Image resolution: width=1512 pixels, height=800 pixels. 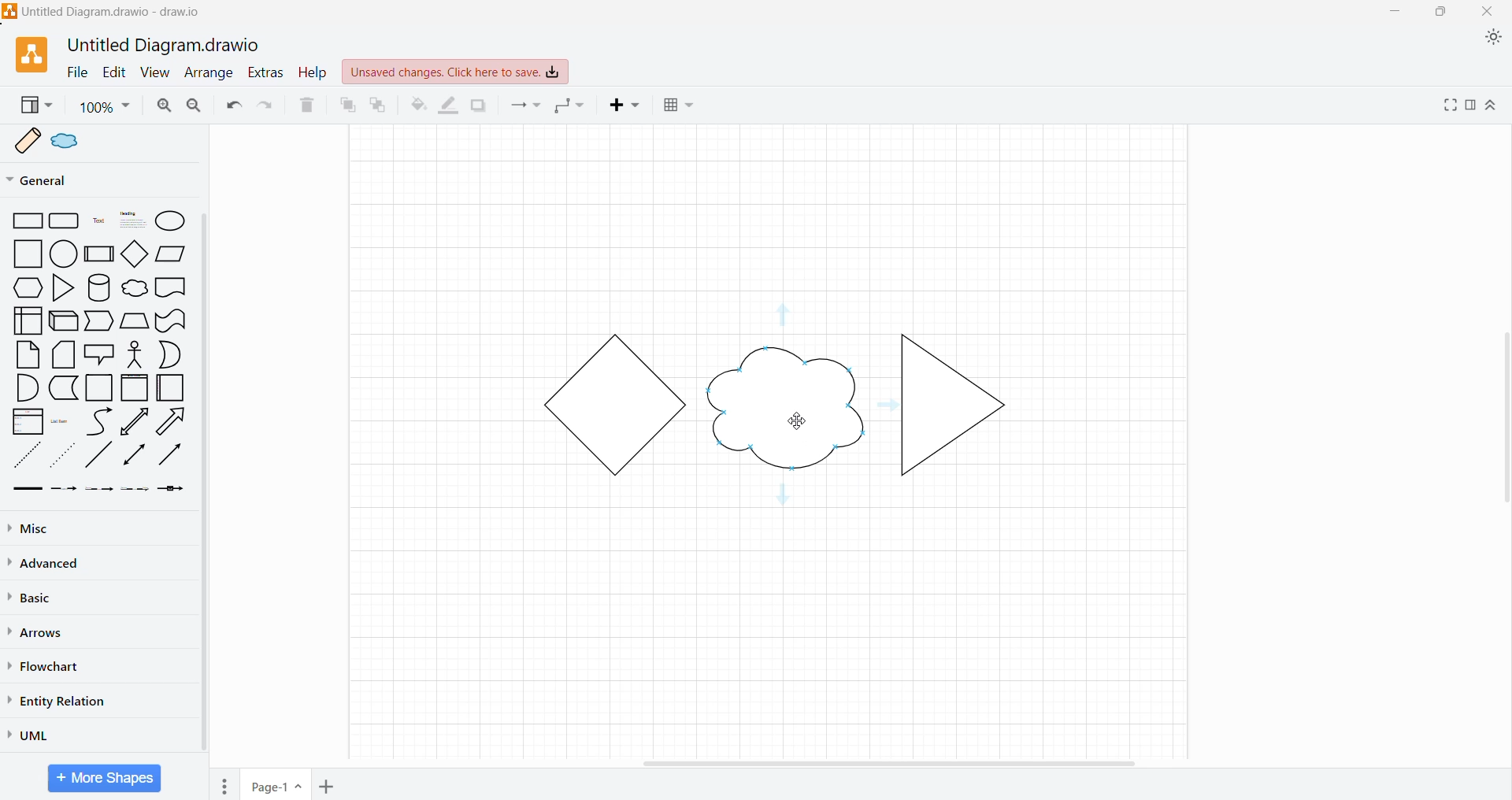 What do you see at coordinates (165, 106) in the screenshot?
I see `Zoom In` at bounding box center [165, 106].